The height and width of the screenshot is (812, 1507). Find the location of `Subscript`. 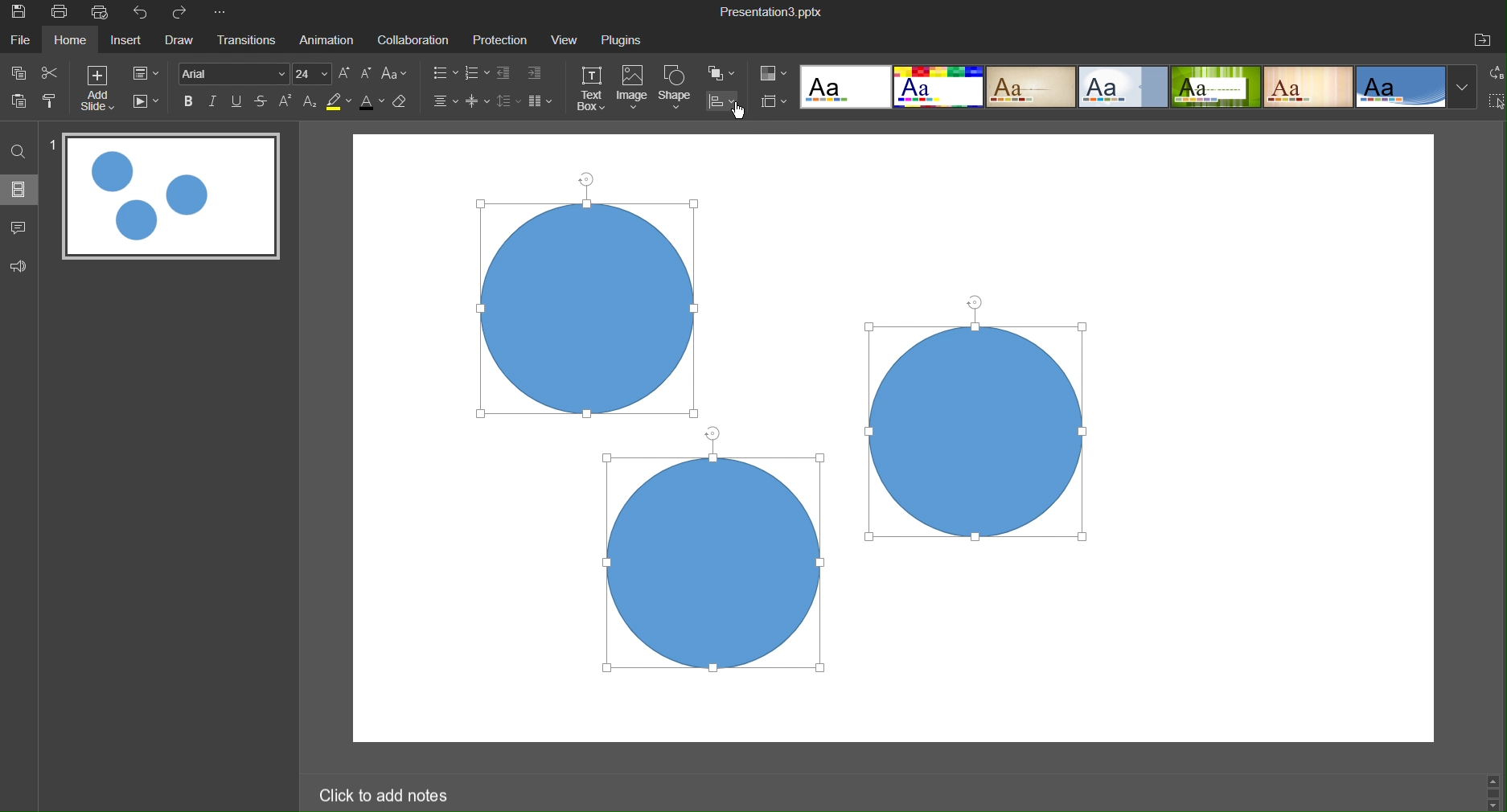

Subscript is located at coordinates (309, 103).